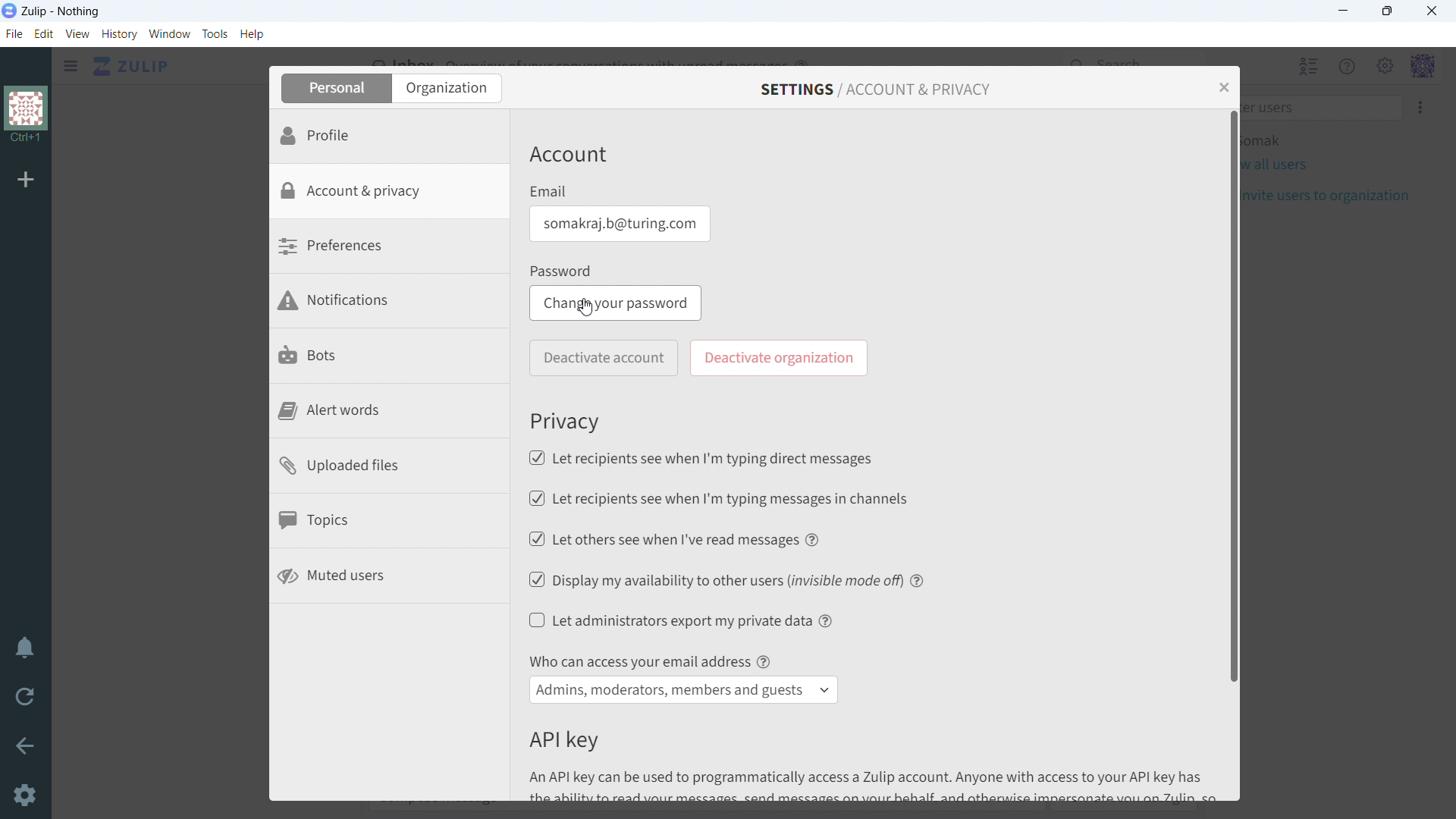 The height and width of the screenshot is (819, 1456). What do you see at coordinates (1432, 11) in the screenshot?
I see `close` at bounding box center [1432, 11].